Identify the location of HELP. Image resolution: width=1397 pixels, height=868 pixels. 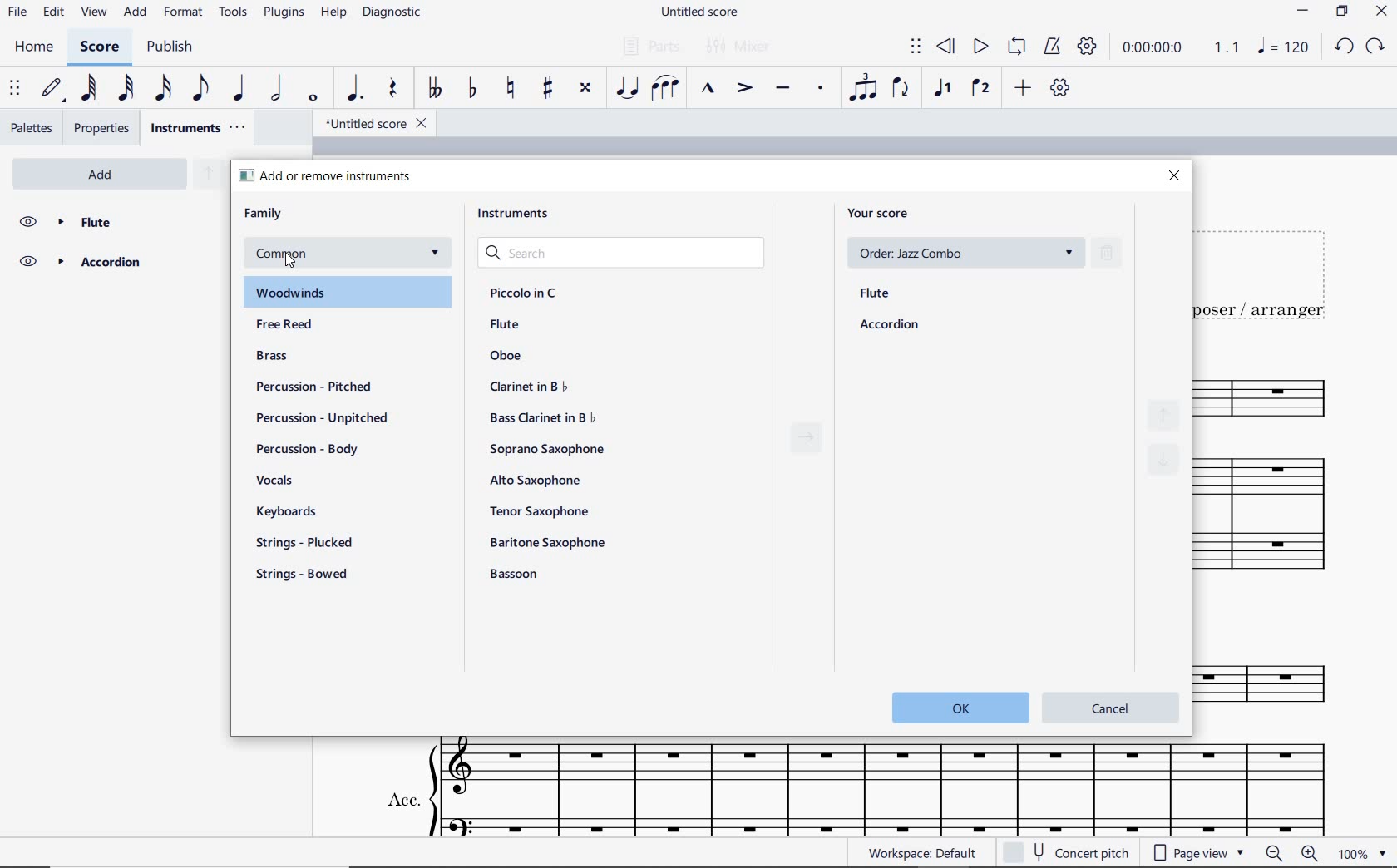
(334, 13).